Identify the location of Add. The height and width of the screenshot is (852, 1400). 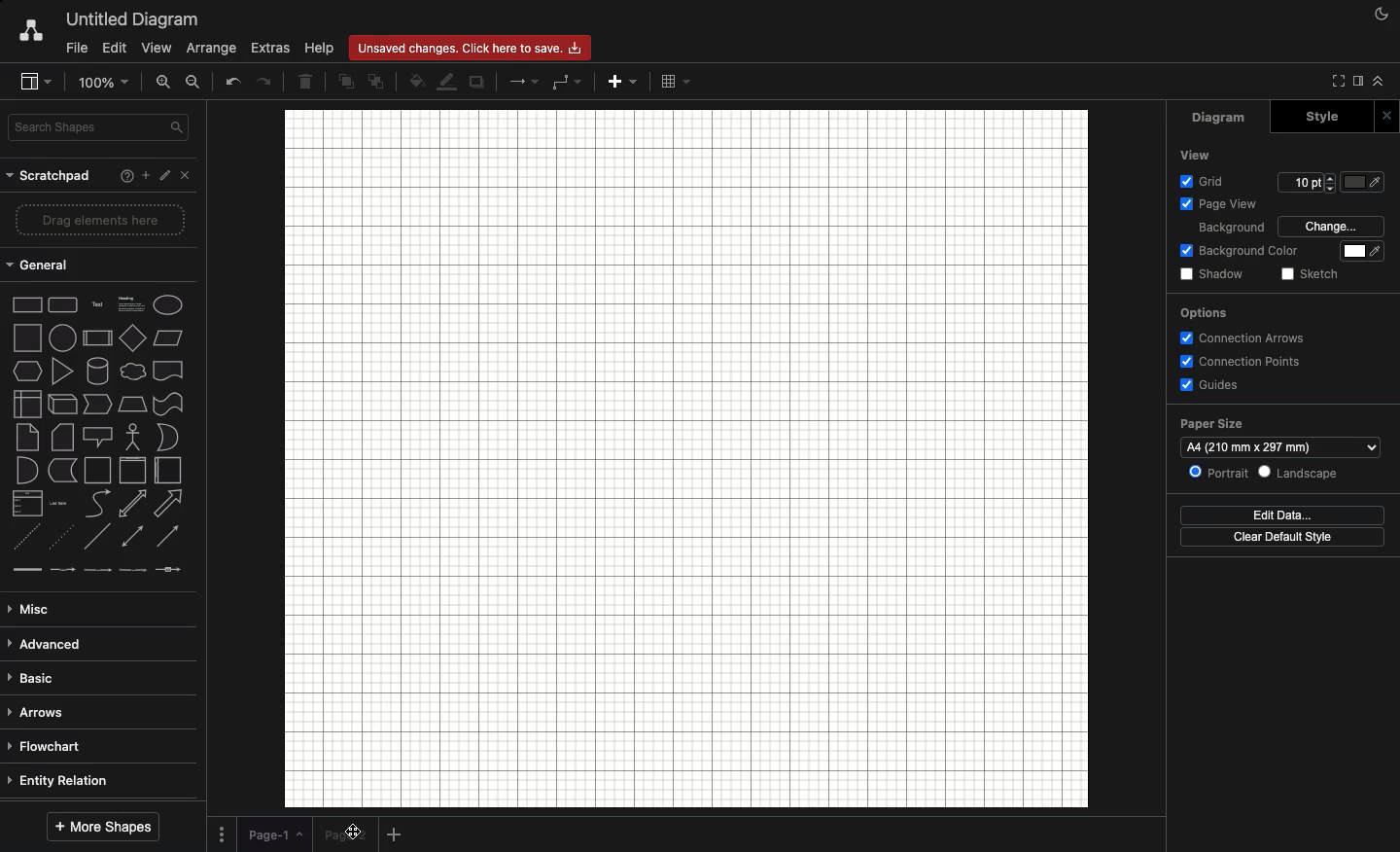
(617, 81).